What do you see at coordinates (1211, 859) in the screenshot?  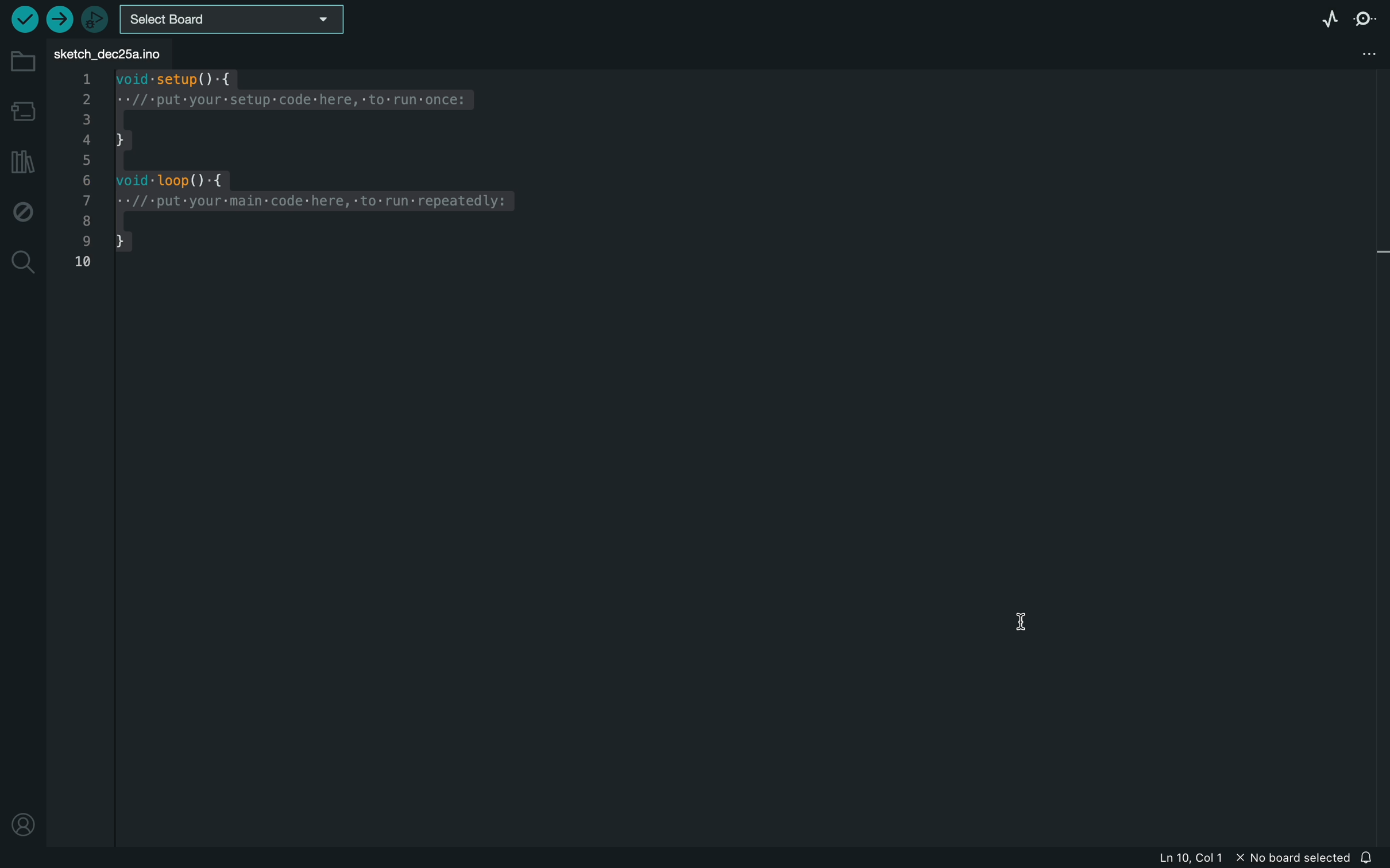 I see `file in formation` at bounding box center [1211, 859].